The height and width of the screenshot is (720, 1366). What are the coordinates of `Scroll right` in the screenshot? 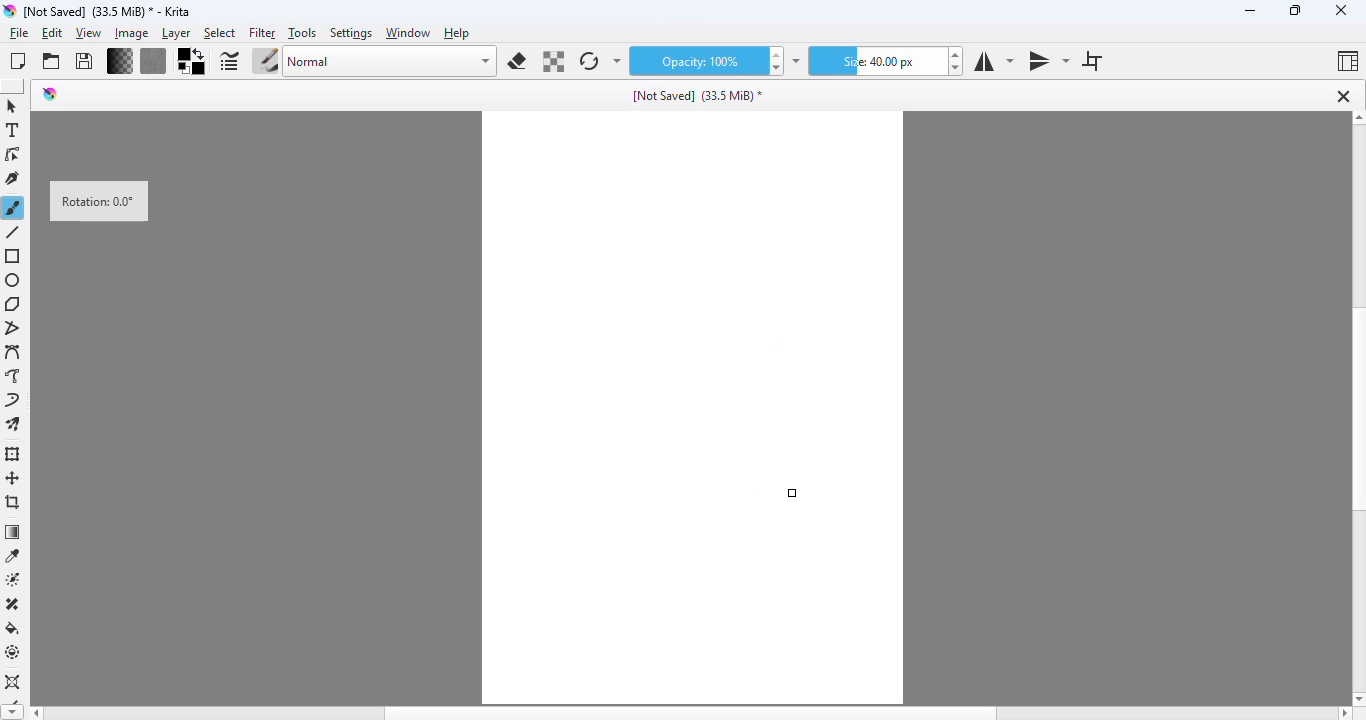 It's located at (1346, 713).